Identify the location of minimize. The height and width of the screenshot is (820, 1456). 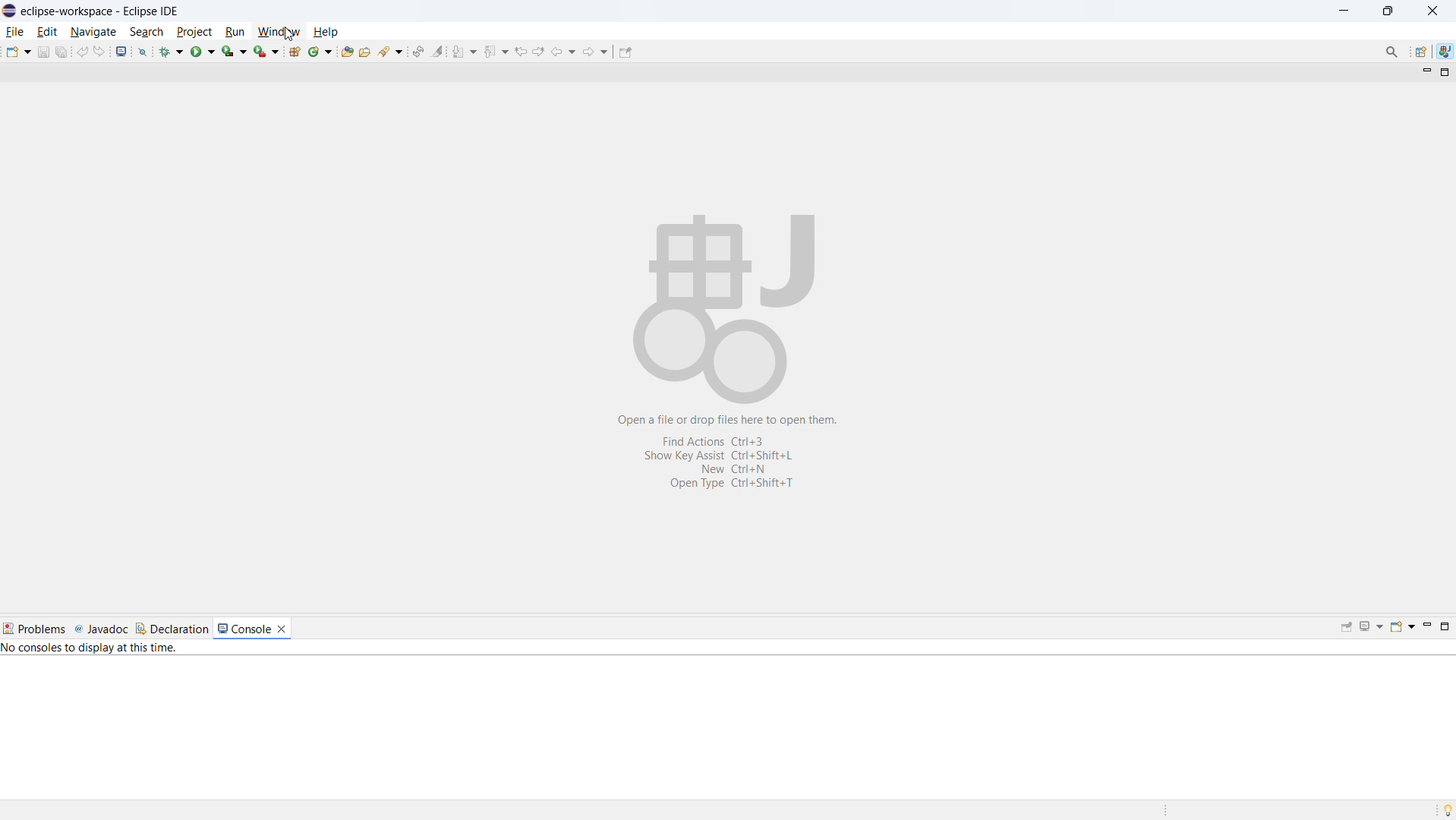
(1423, 71).